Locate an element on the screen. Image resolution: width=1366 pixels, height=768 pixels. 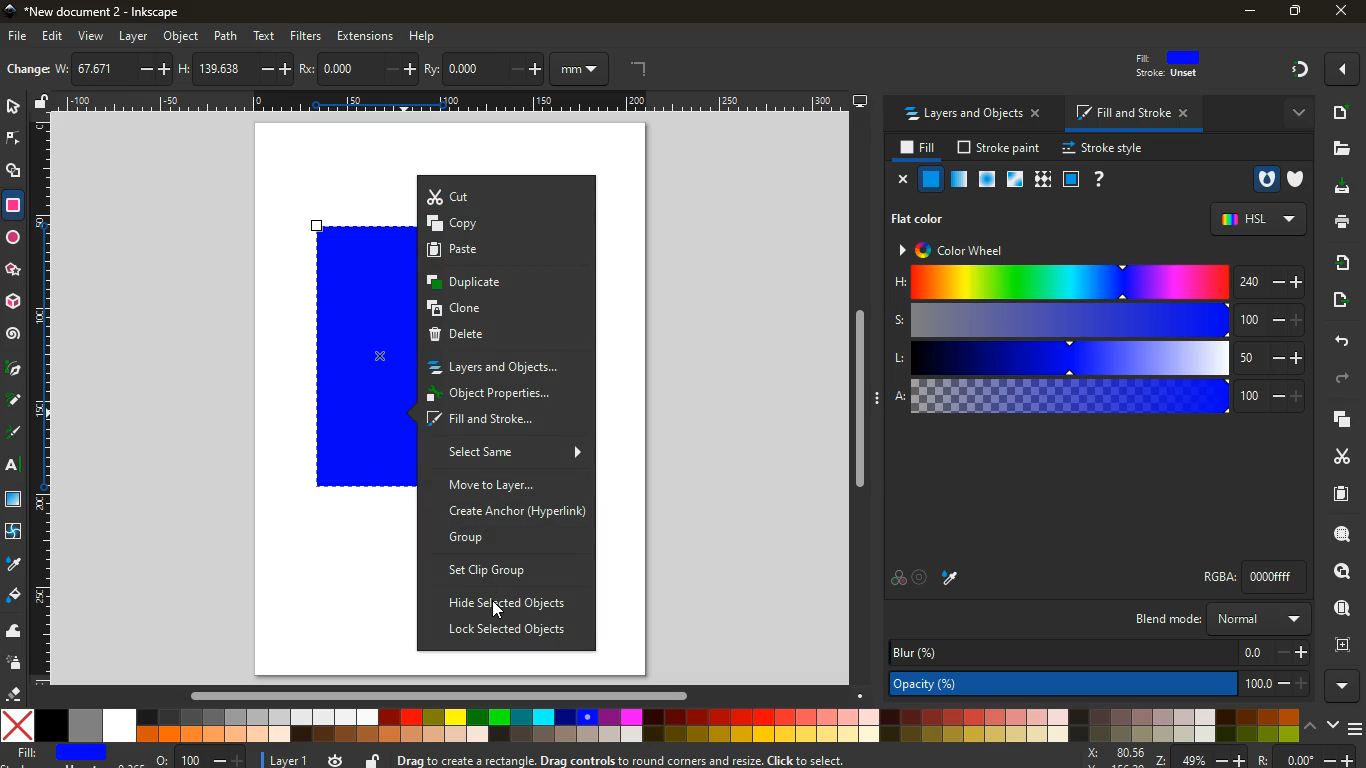
spiral is located at coordinates (14, 336).